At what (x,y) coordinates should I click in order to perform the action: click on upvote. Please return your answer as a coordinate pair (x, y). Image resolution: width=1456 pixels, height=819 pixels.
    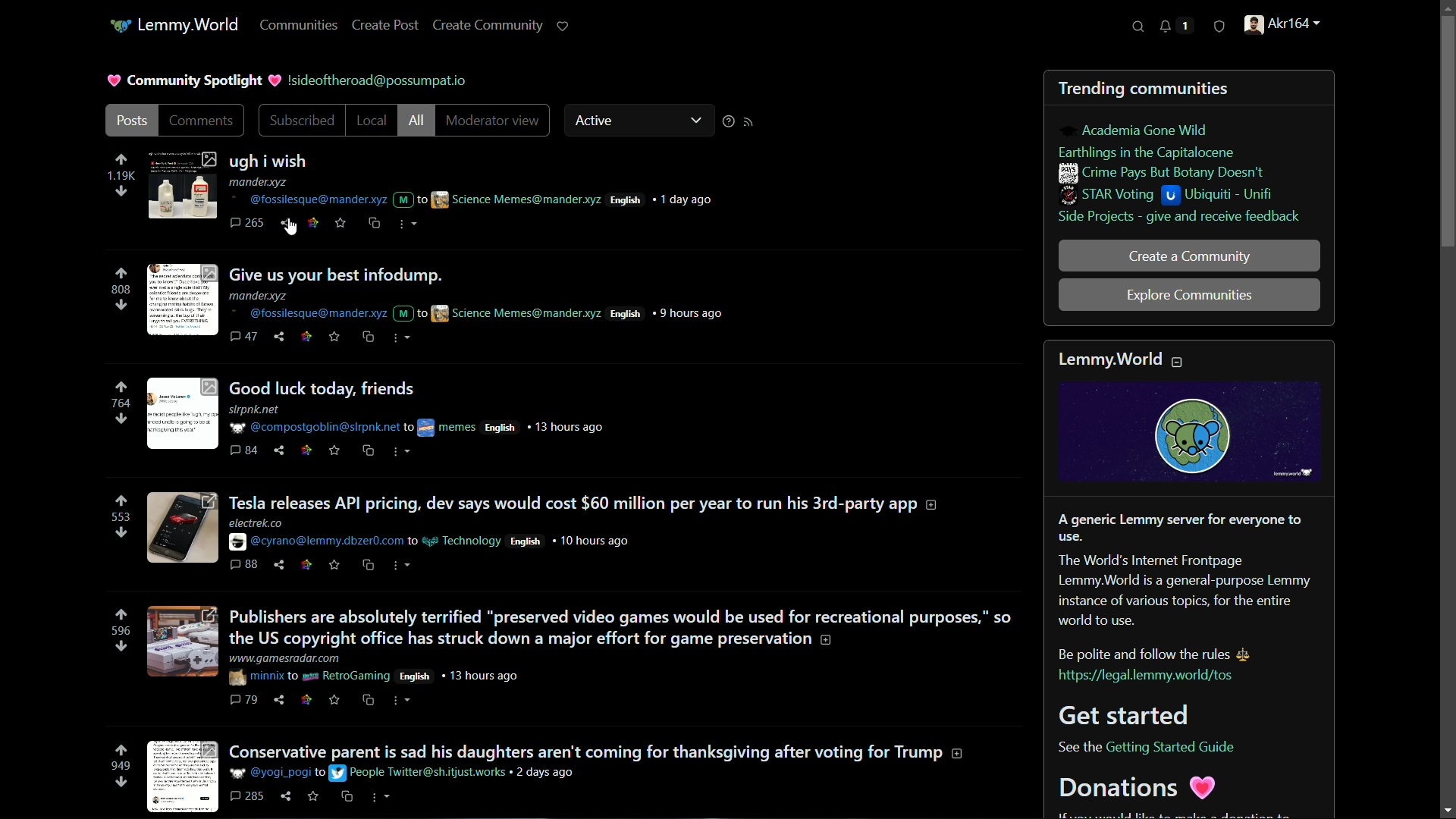
    Looking at the image, I should click on (121, 160).